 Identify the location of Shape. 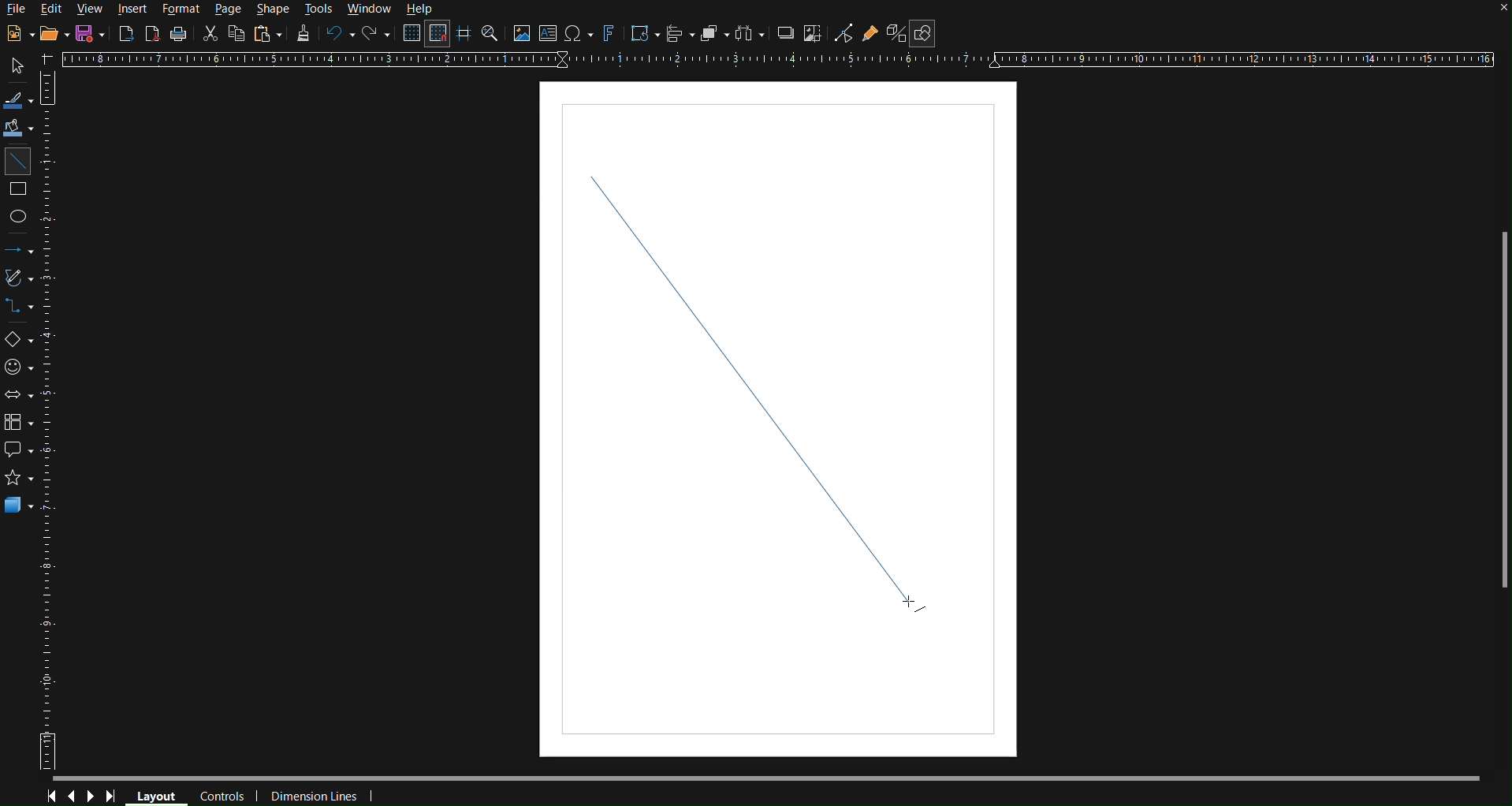
(274, 9).